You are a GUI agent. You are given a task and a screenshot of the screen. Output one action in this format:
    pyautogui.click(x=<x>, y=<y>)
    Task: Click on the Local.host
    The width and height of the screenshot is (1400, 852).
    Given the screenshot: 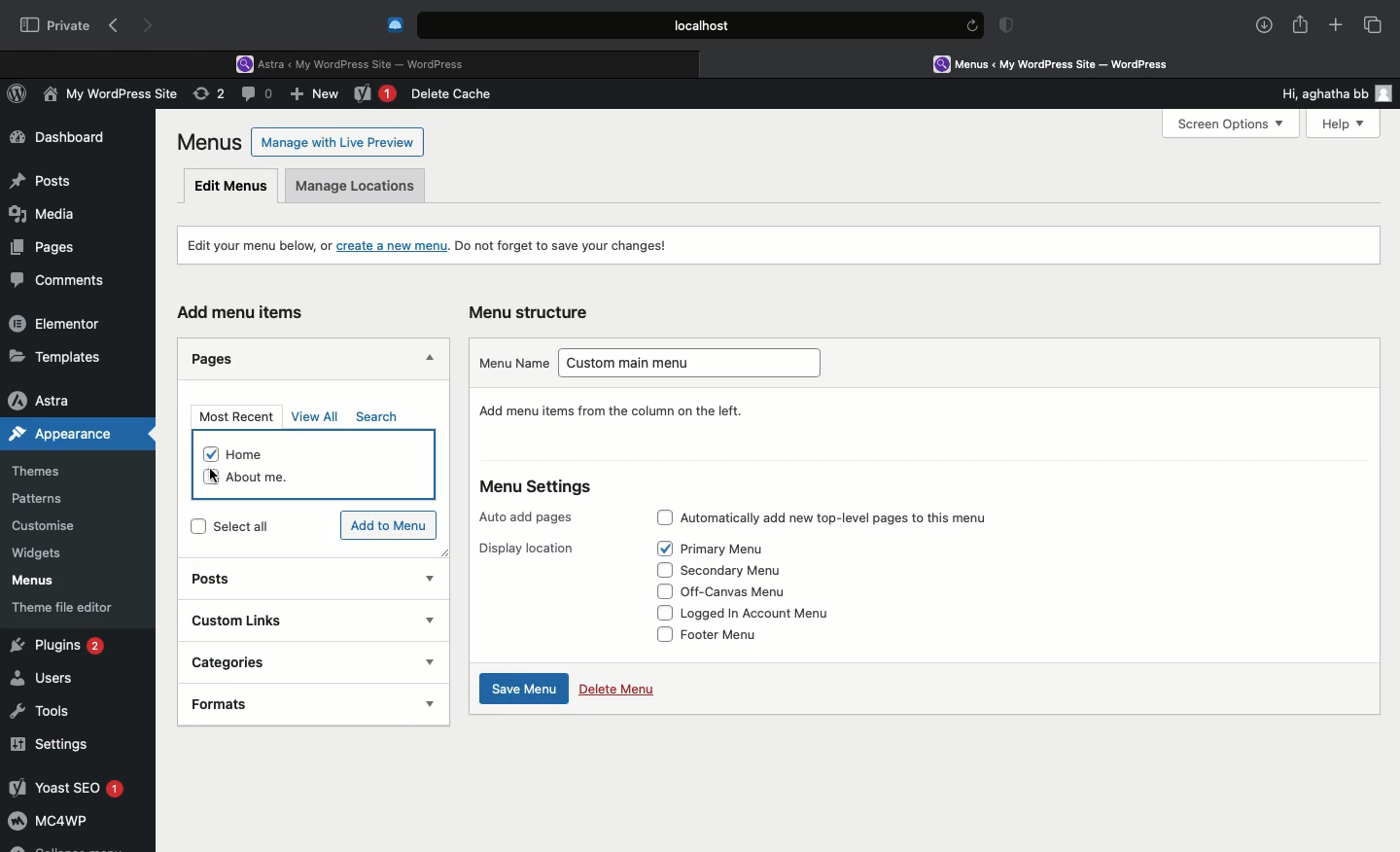 What is the action you would take?
    pyautogui.click(x=702, y=24)
    